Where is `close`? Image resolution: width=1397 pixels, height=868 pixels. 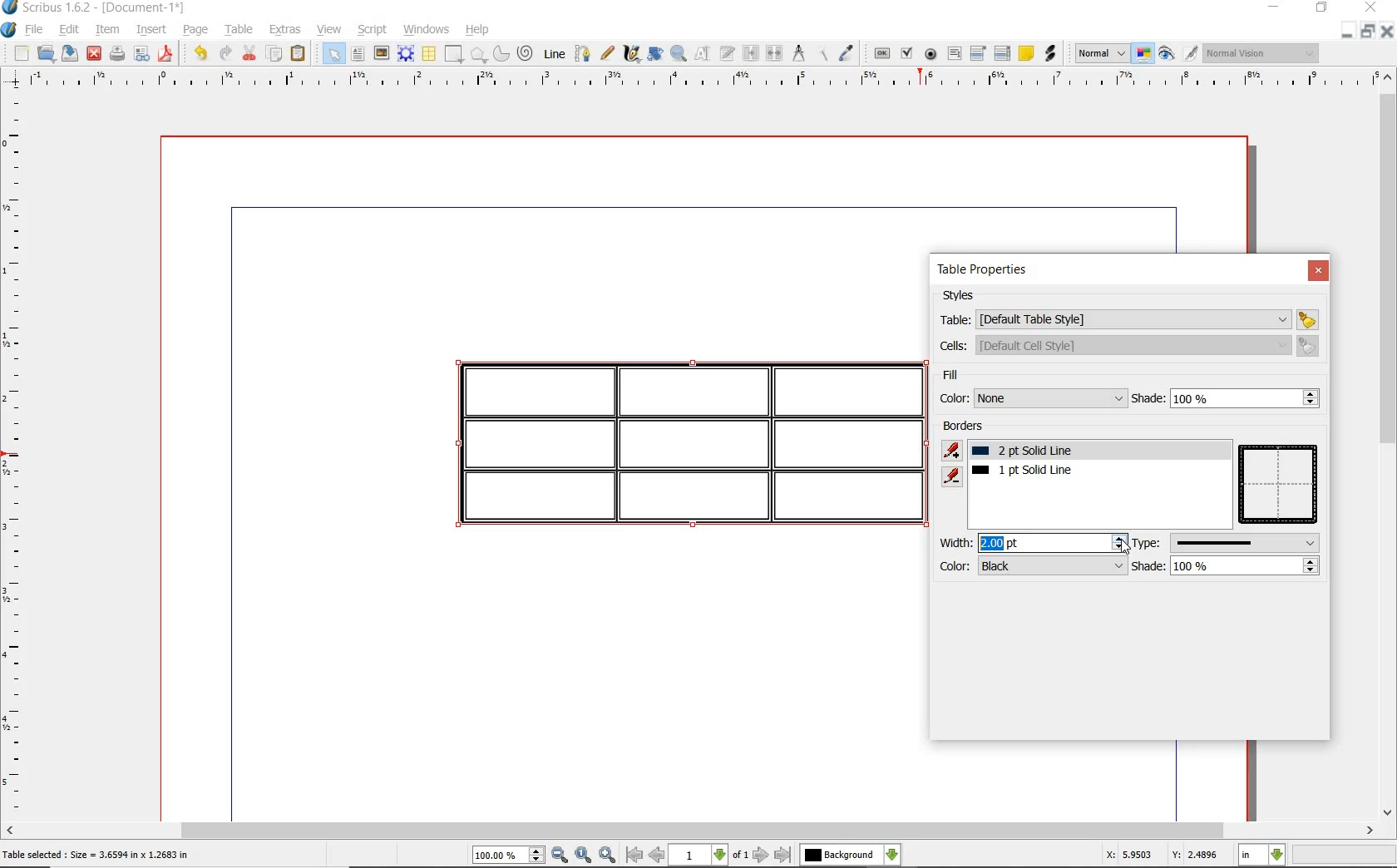 close is located at coordinates (95, 53).